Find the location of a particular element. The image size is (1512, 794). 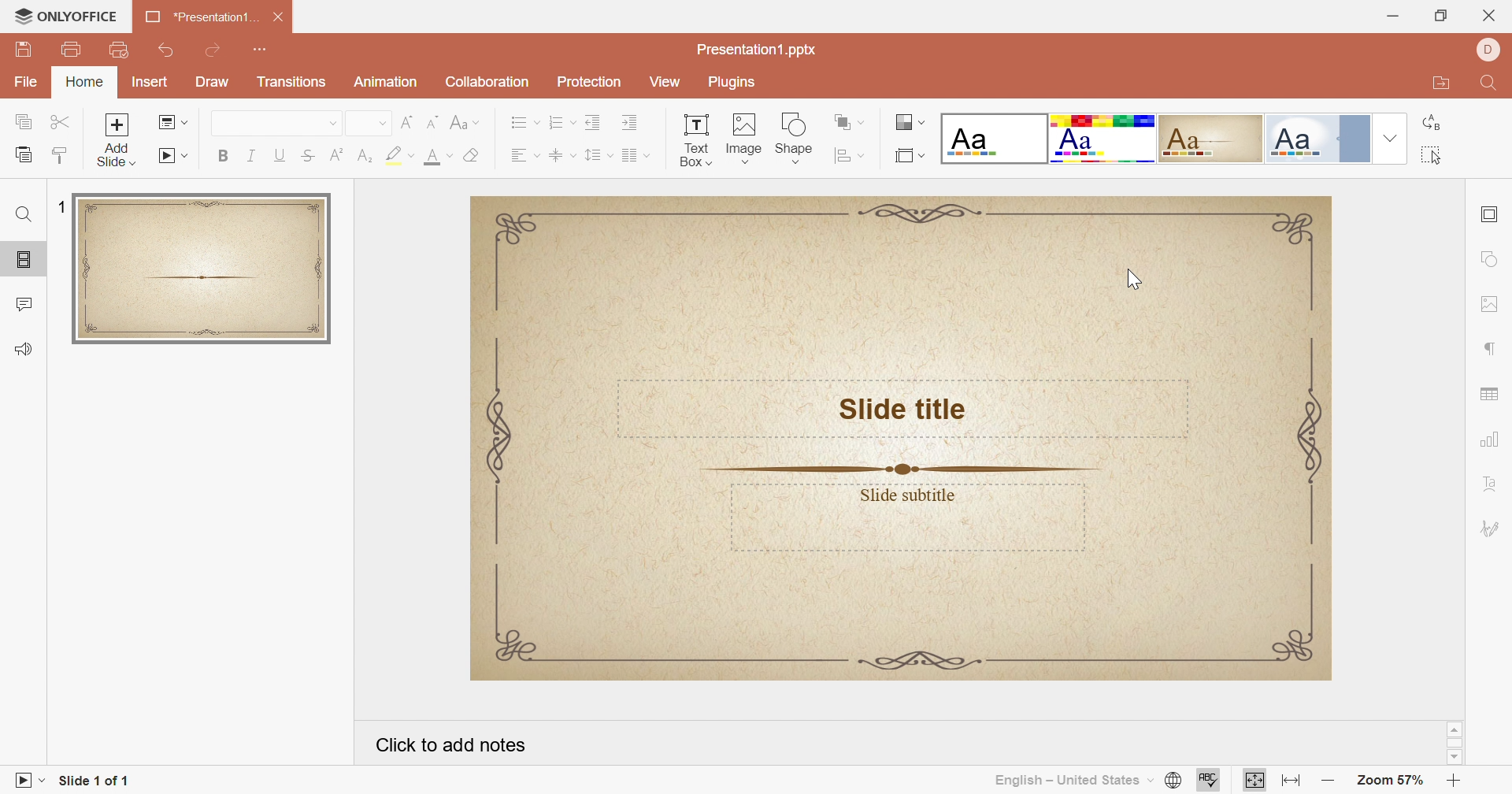

Drop Down is located at coordinates (184, 121).